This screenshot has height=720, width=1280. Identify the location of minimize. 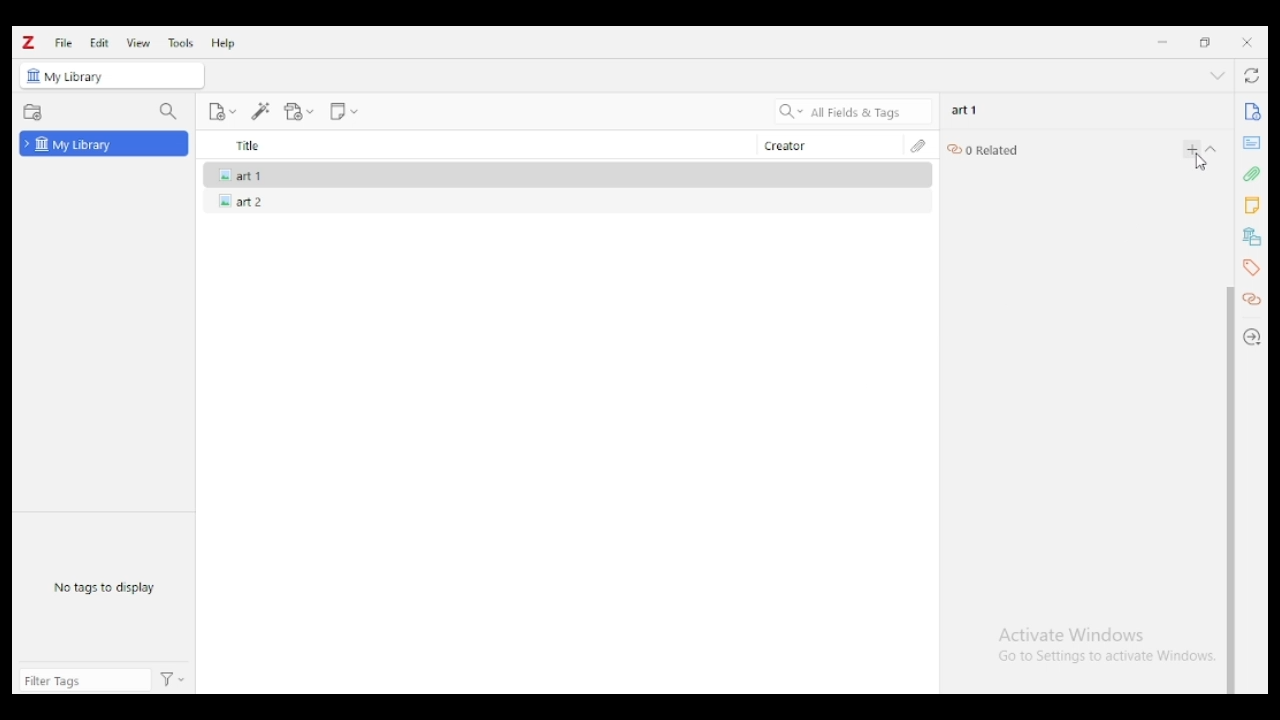
(1162, 42).